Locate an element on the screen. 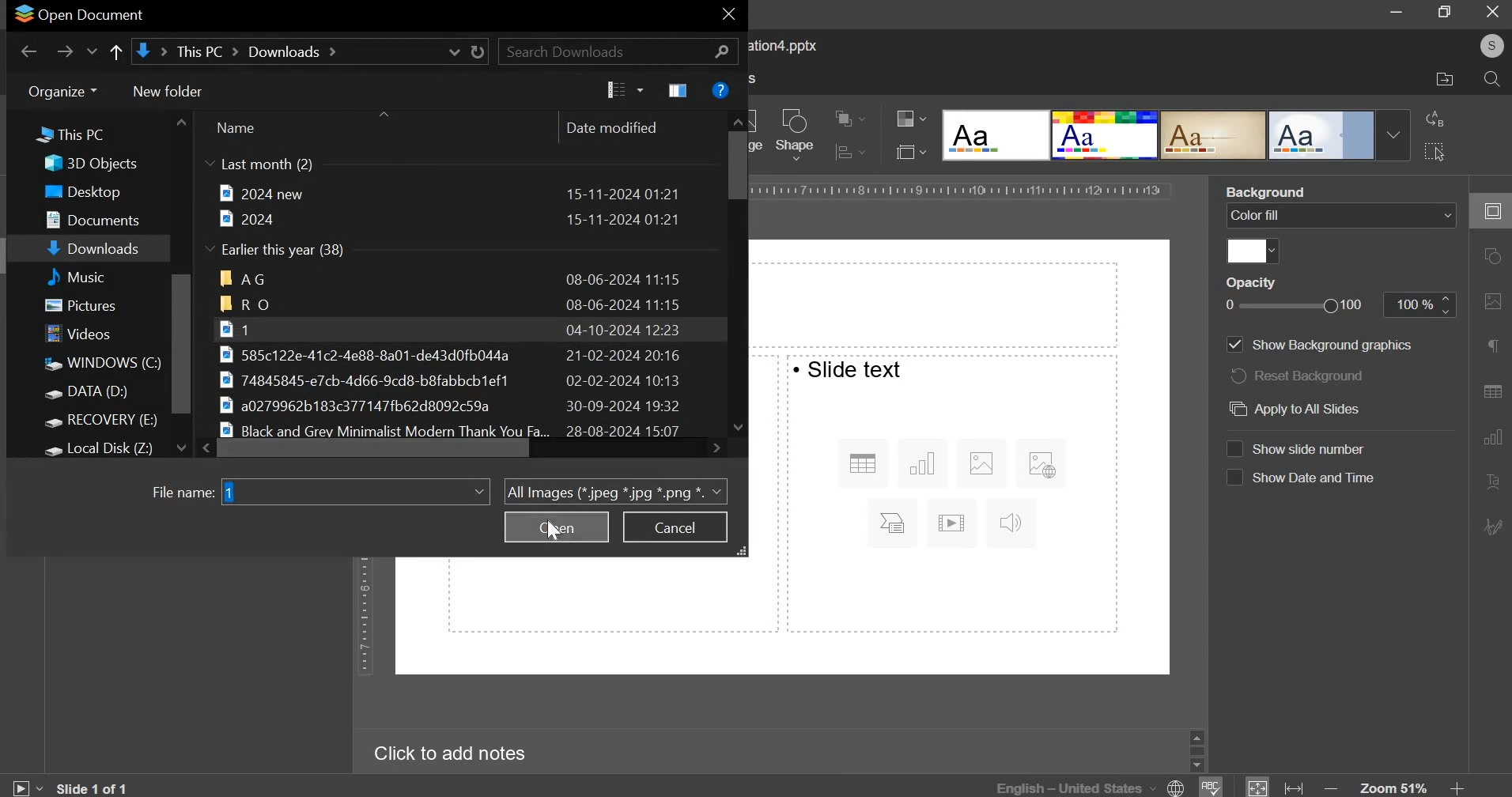 The image size is (1512, 797). new folder is located at coordinates (166, 90).